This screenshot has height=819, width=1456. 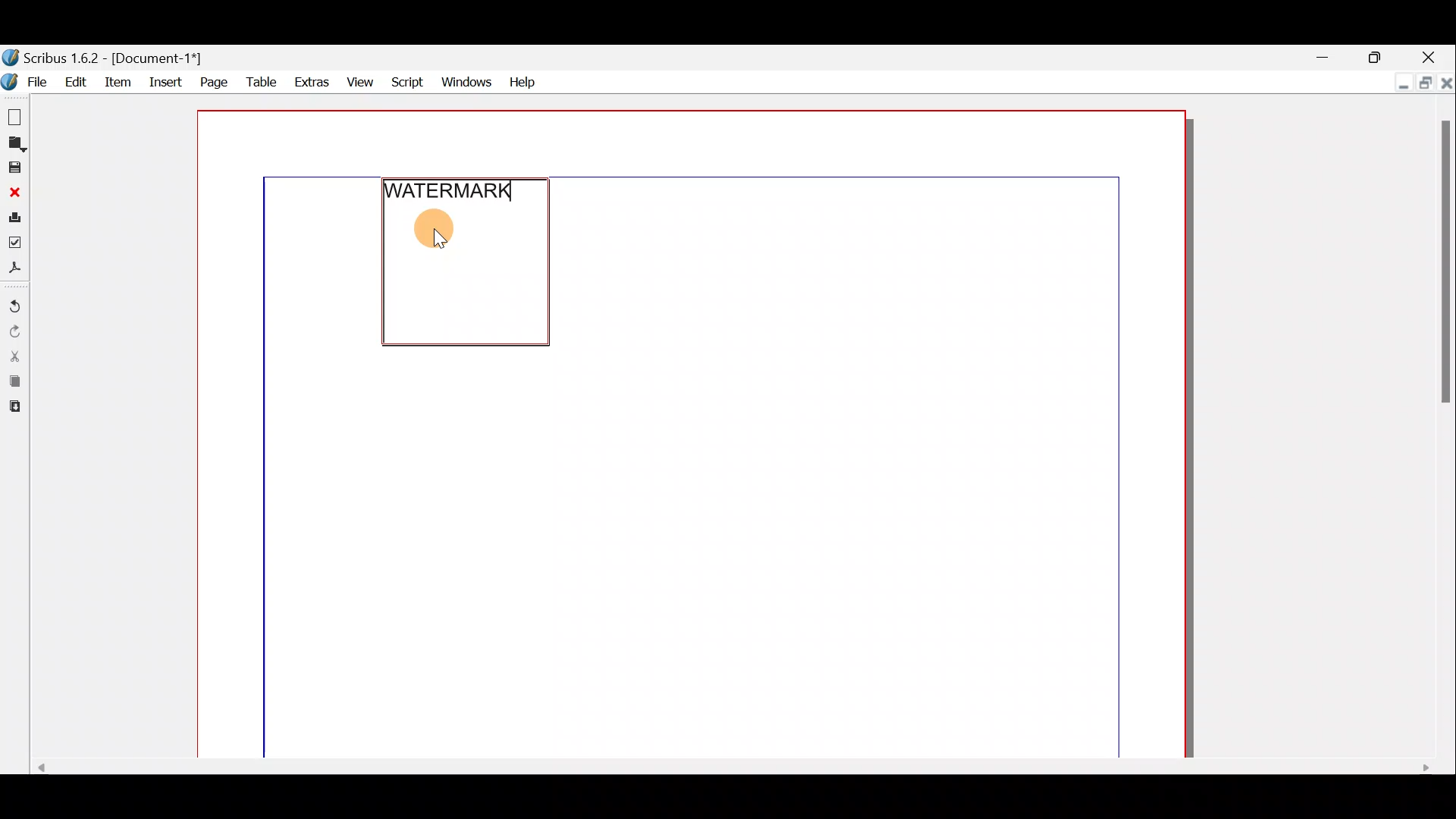 I want to click on Page, so click(x=212, y=81).